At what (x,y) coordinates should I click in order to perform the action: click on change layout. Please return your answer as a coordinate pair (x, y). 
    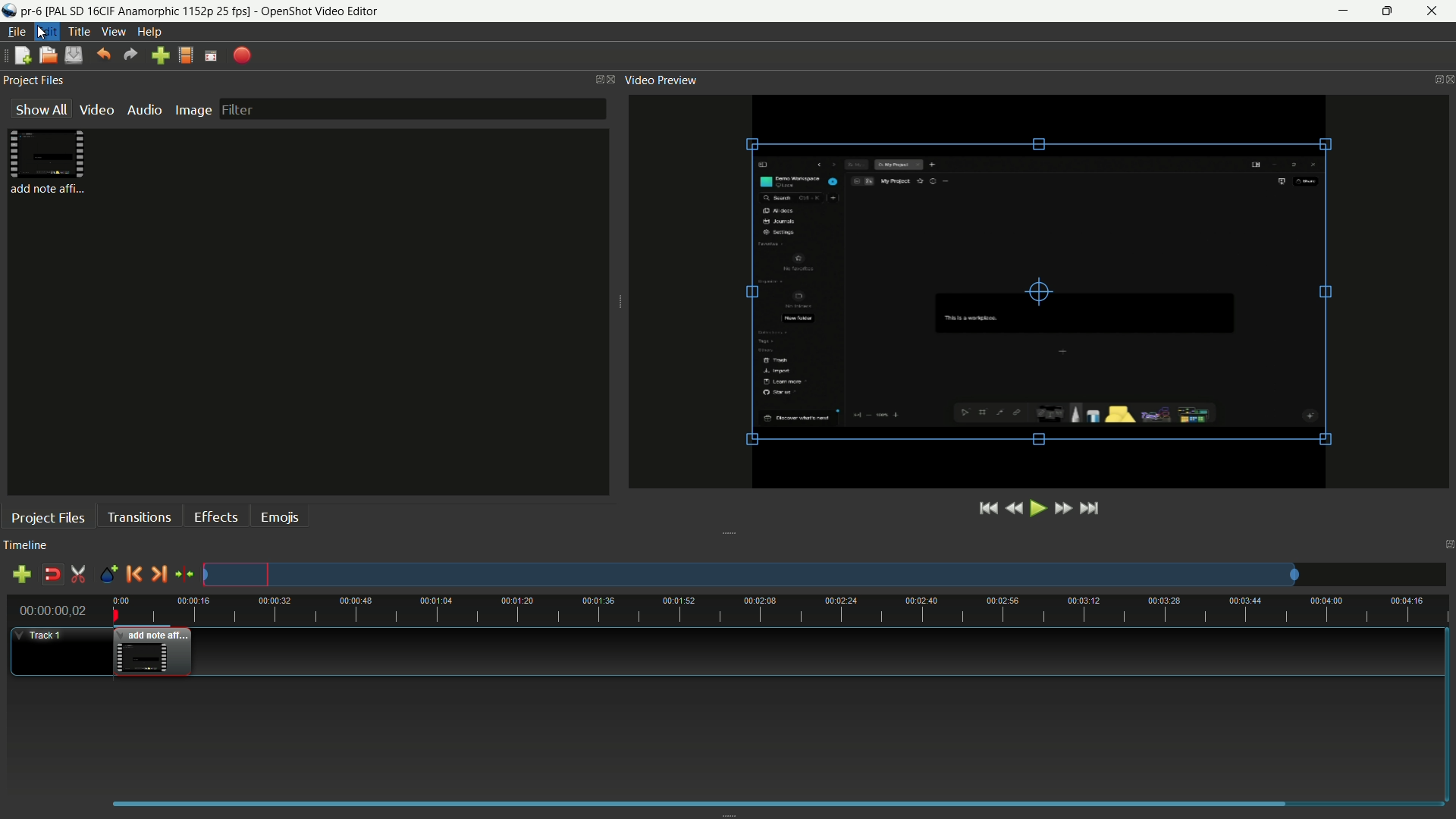
    Looking at the image, I should click on (1447, 544).